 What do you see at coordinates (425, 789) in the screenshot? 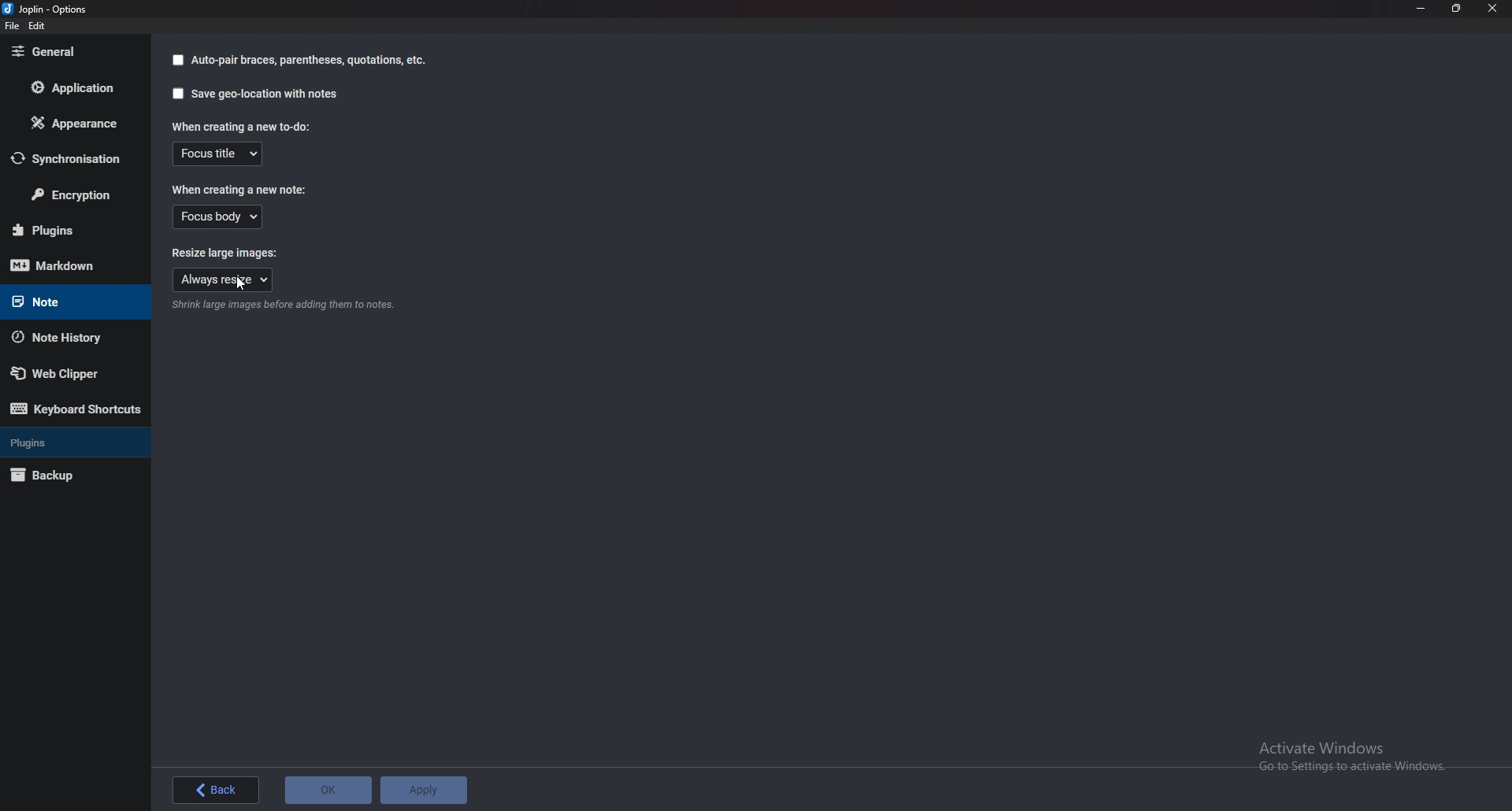
I see `Apply` at bounding box center [425, 789].